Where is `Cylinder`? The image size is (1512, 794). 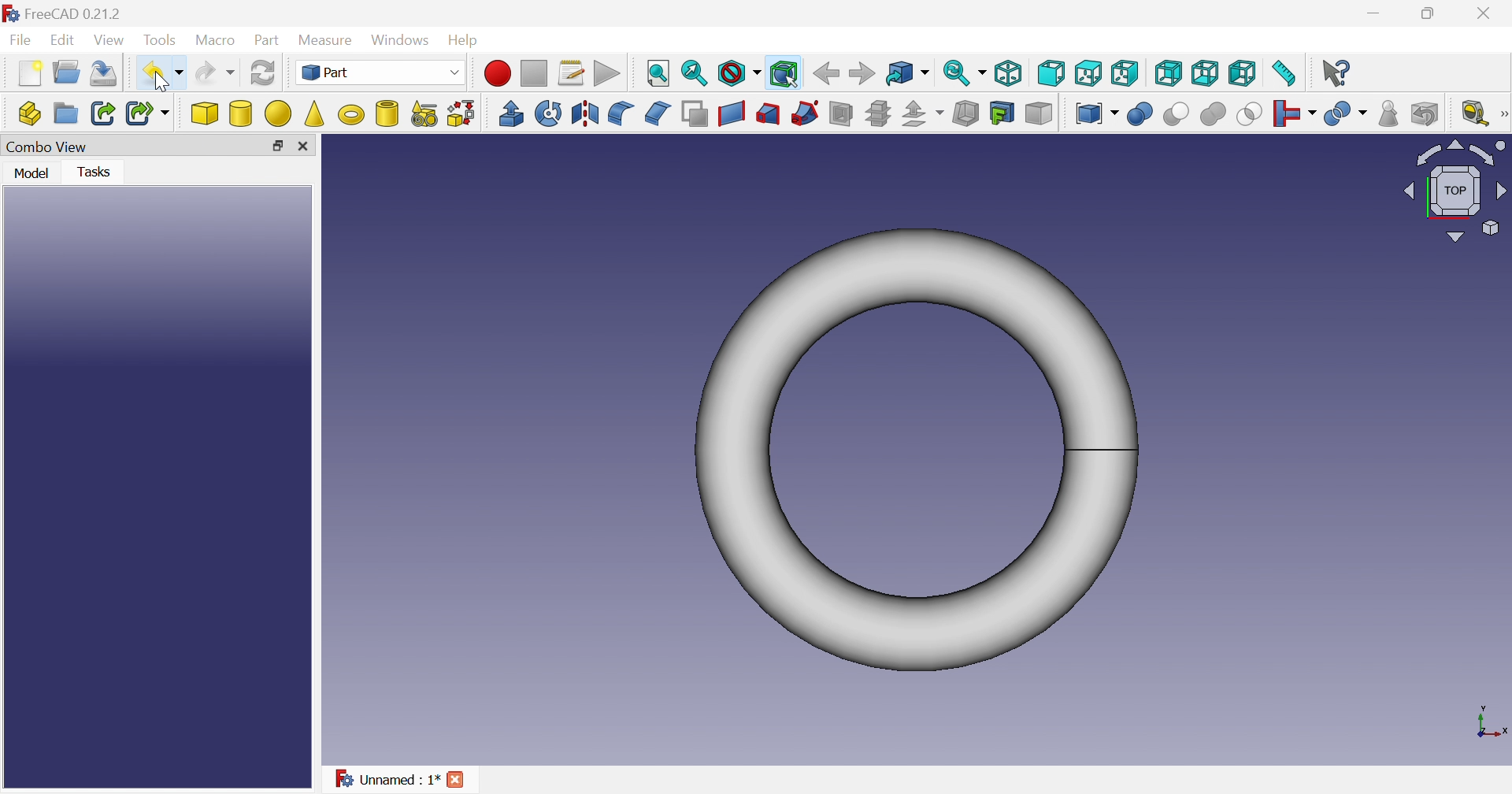
Cylinder is located at coordinates (241, 113).